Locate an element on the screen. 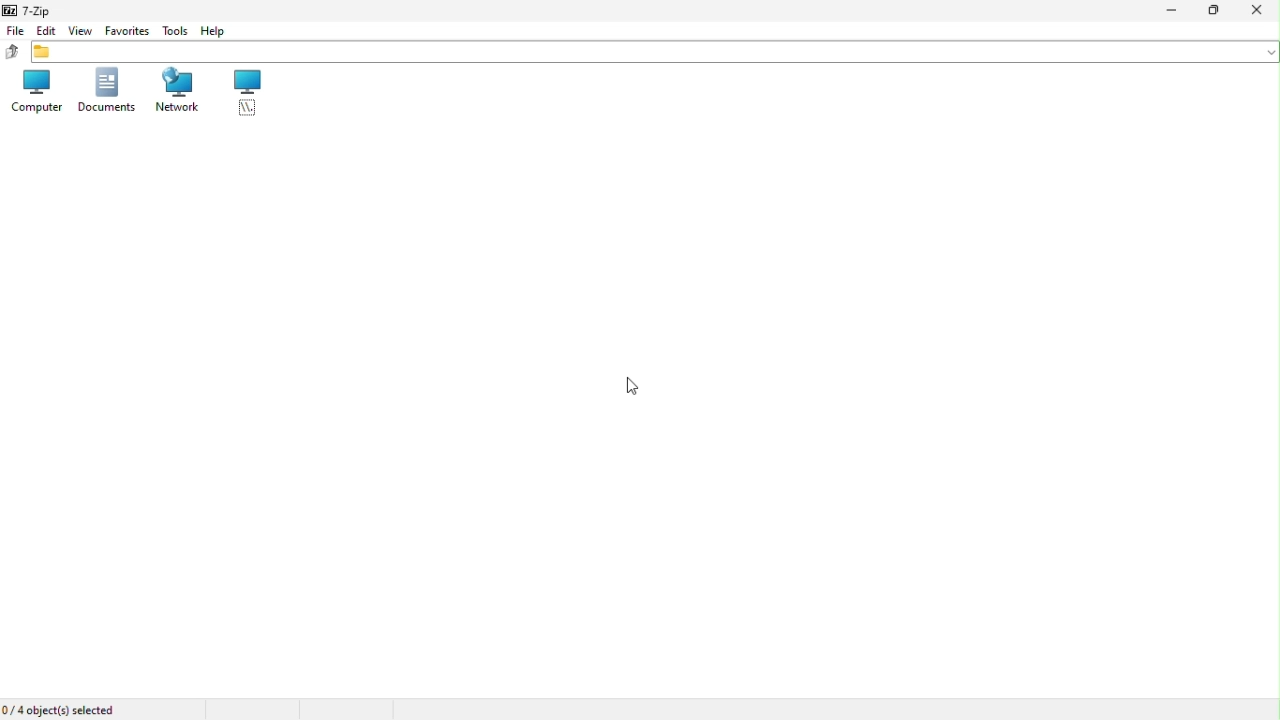 The width and height of the screenshot is (1280, 720). Restore  is located at coordinates (1211, 12).